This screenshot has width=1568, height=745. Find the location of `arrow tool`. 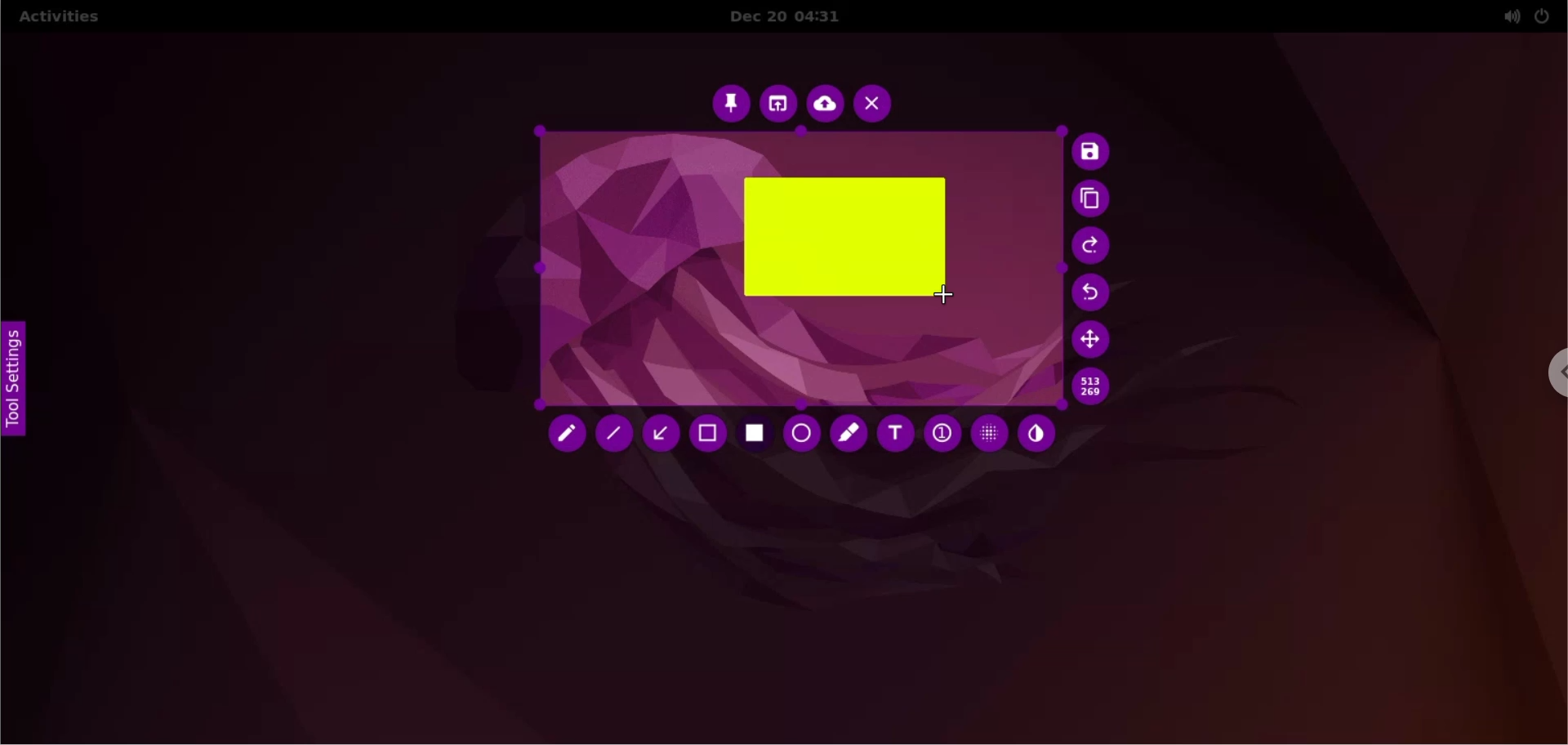

arrow tool is located at coordinates (659, 437).